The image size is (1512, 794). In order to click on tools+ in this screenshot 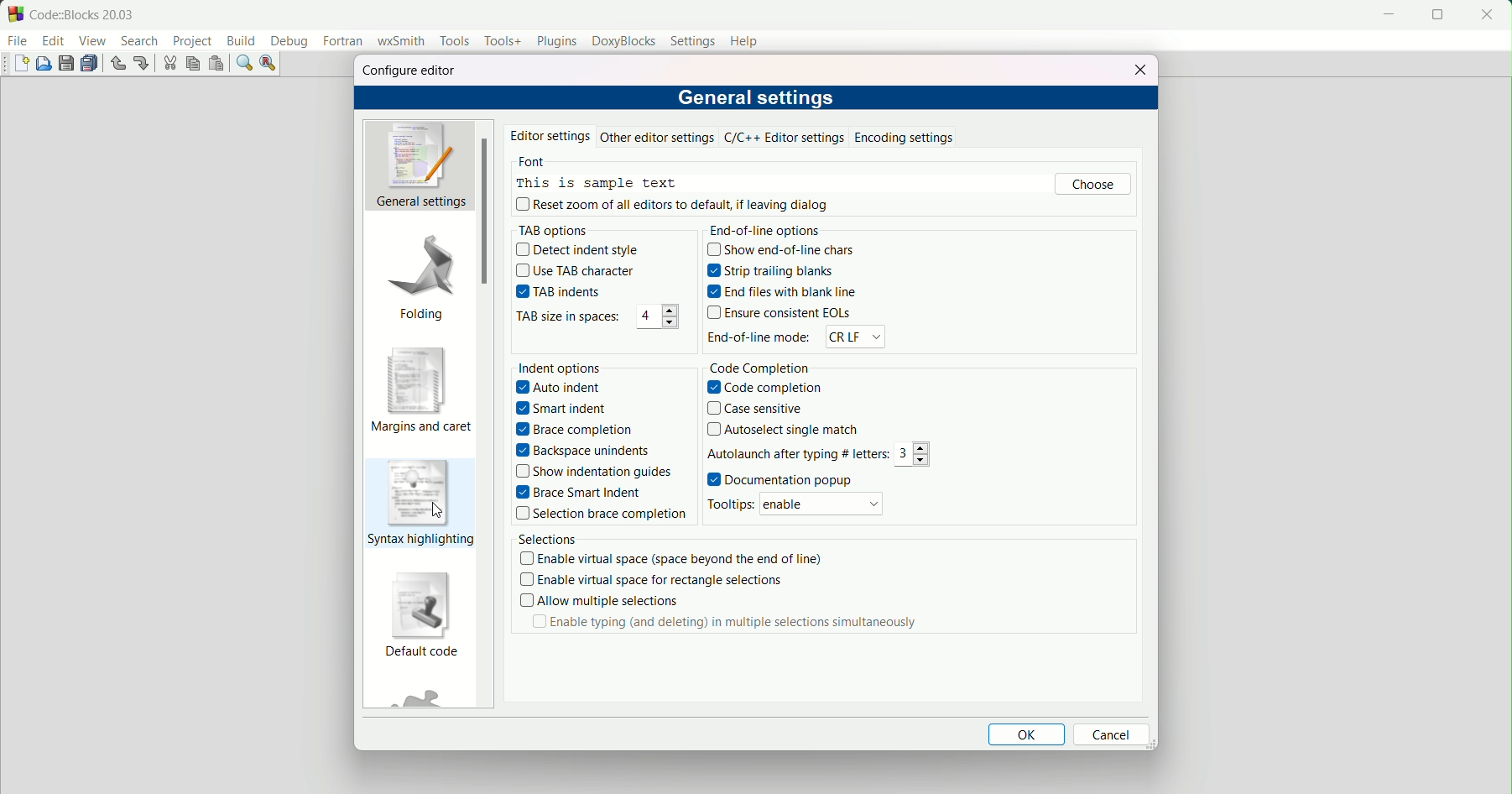, I will do `click(500, 42)`.